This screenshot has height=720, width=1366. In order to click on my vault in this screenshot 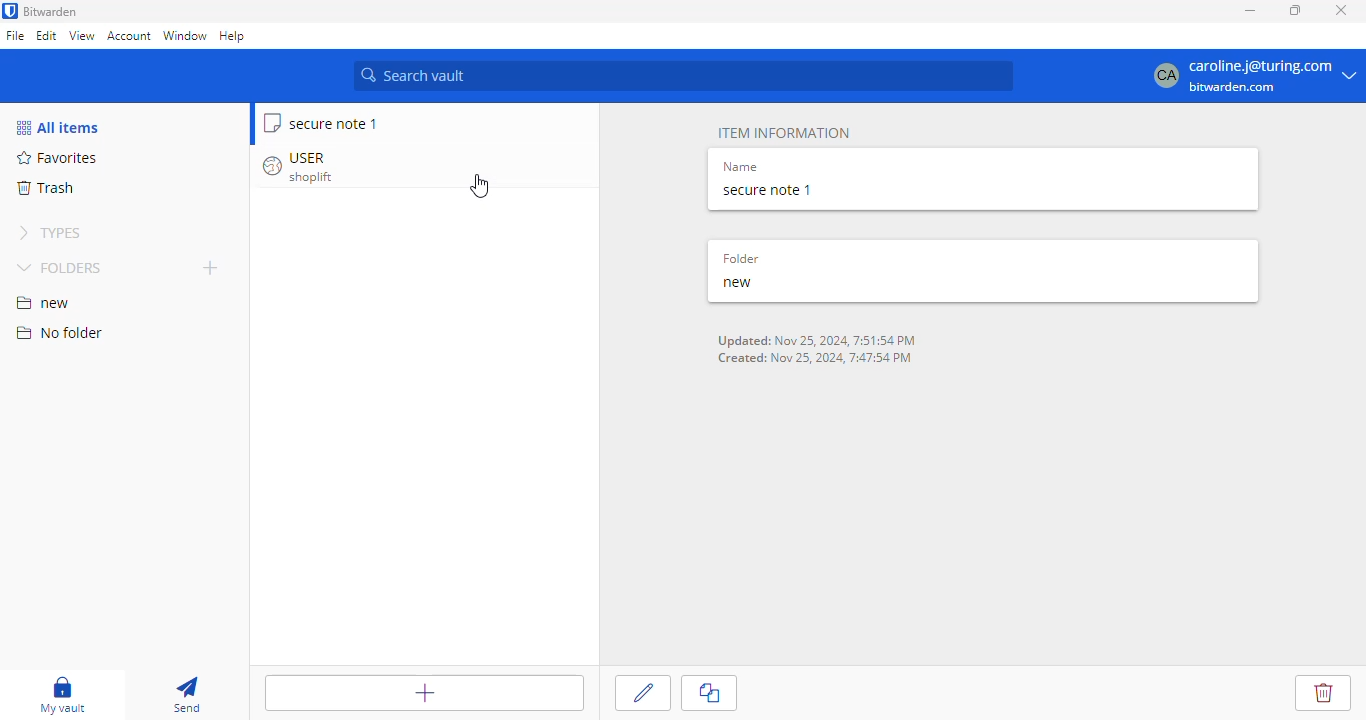, I will do `click(63, 695)`.